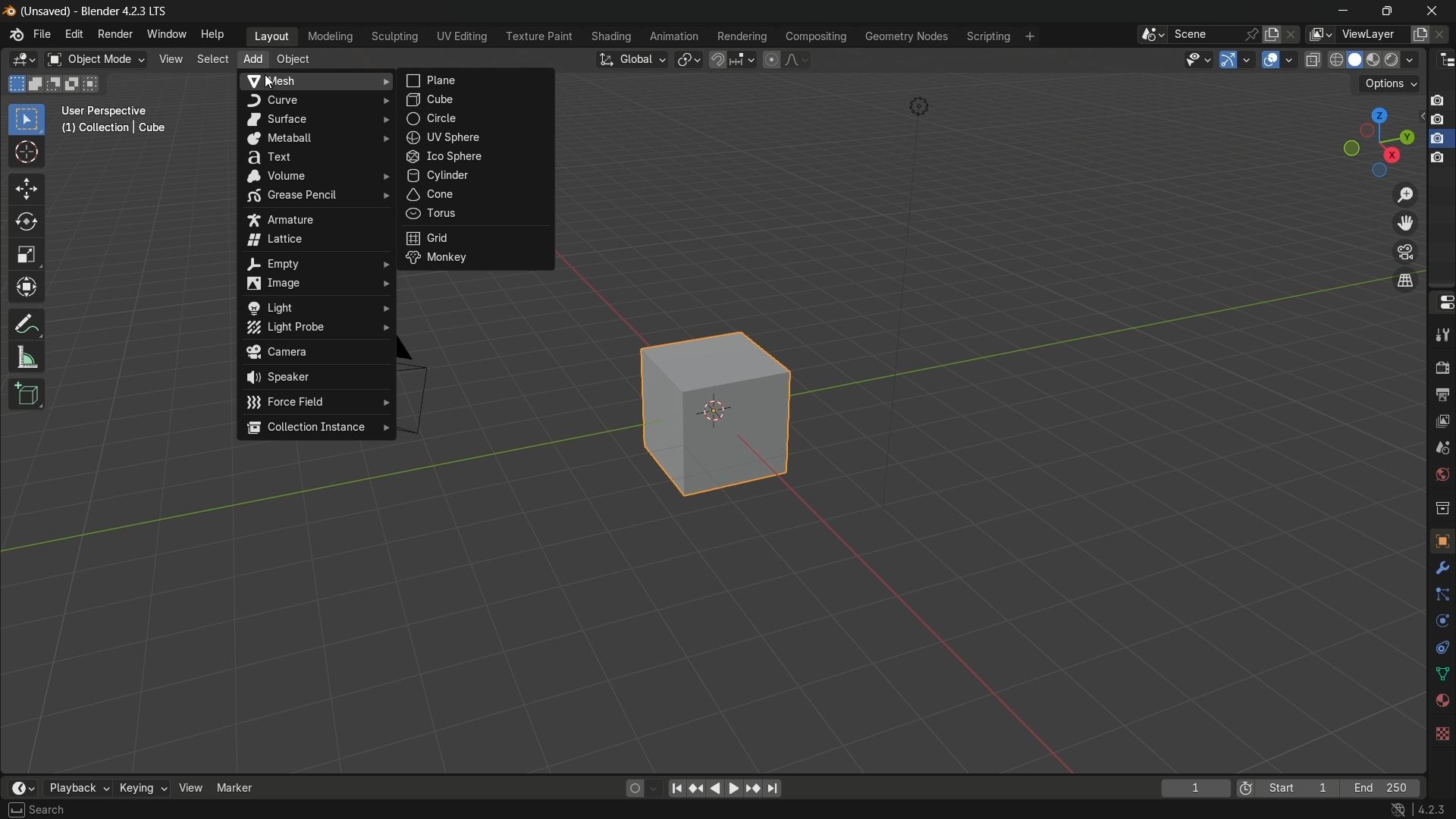  Describe the element at coordinates (23, 788) in the screenshot. I see `timeline` at that location.